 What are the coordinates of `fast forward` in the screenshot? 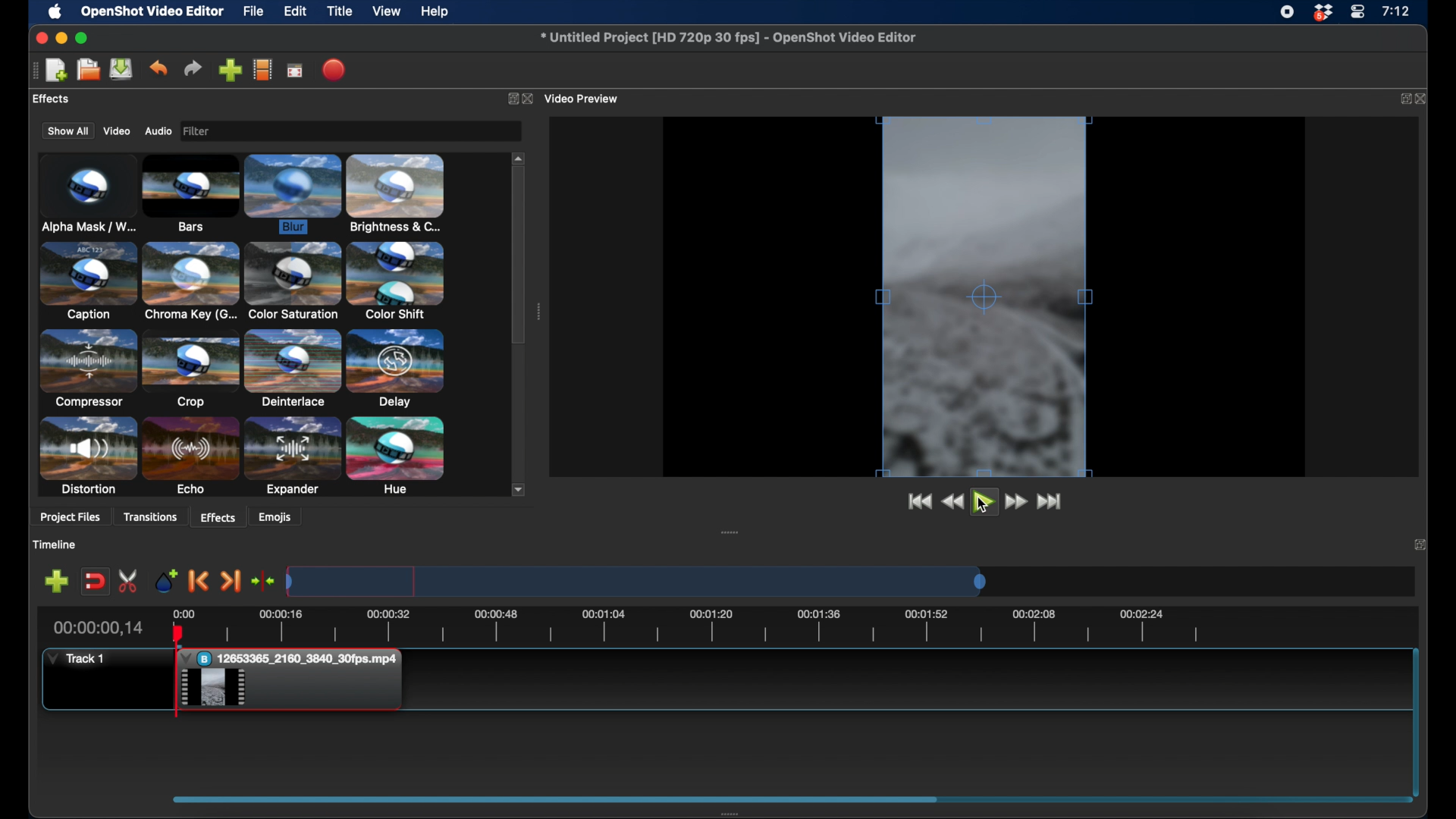 It's located at (1018, 502).